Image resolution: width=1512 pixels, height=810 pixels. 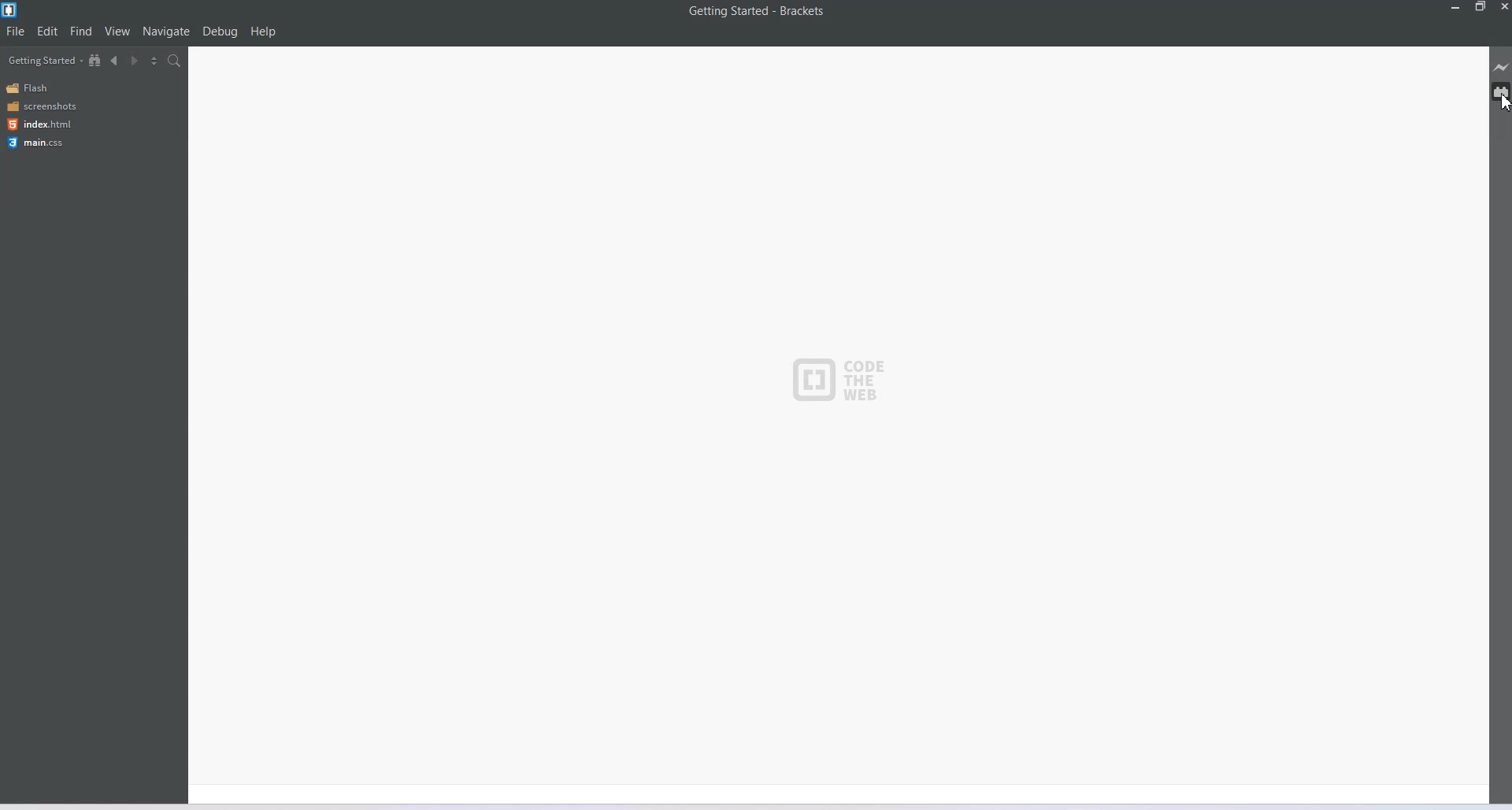 What do you see at coordinates (41, 106) in the screenshot?
I see `Screenshots` at bounding box center [41, 106].